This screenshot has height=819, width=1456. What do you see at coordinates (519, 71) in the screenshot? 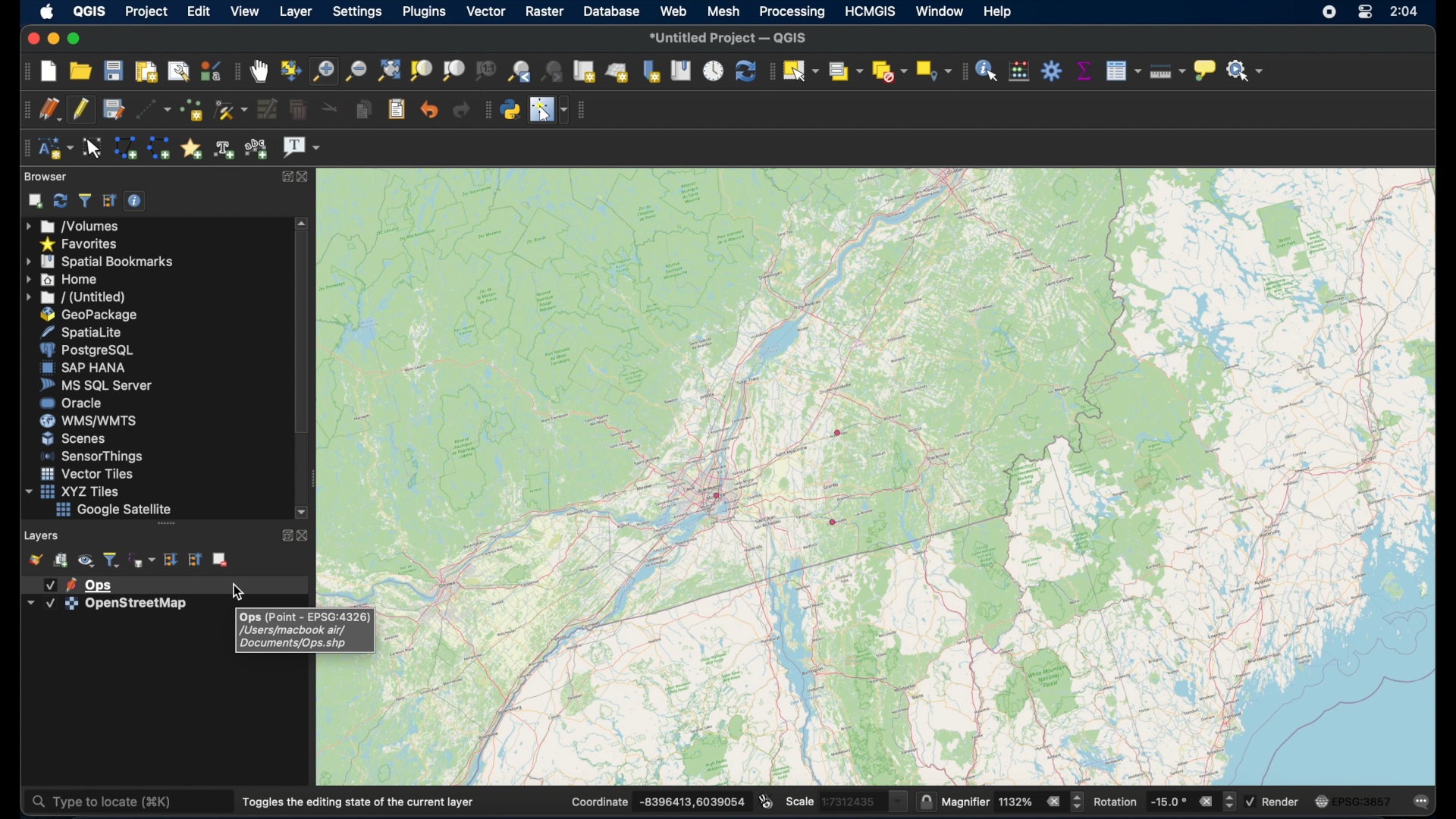
I see `zoom last` at bounding box center [519, 71].